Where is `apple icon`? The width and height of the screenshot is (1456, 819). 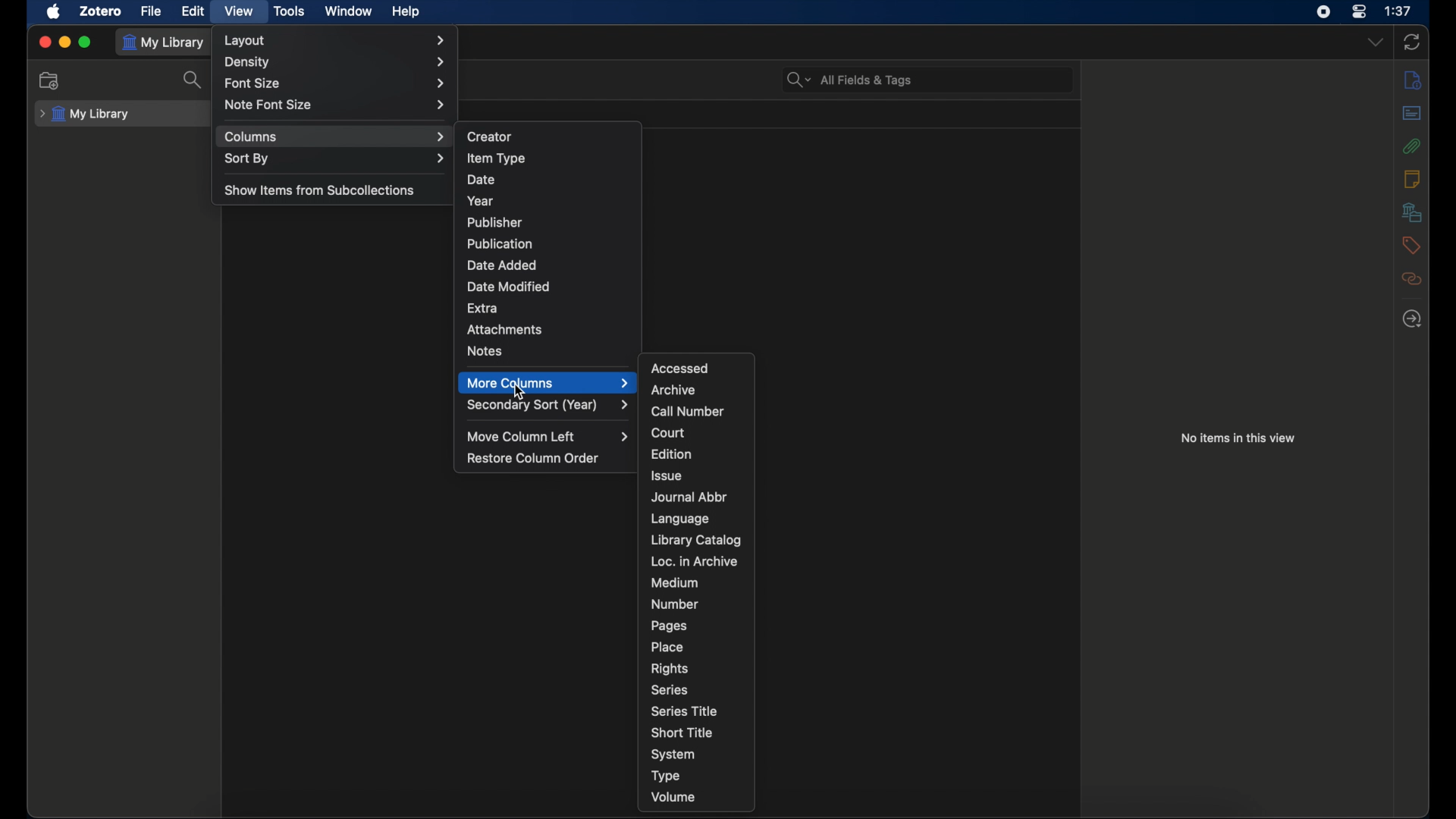 apple icon is located at coordinates (54, 12).